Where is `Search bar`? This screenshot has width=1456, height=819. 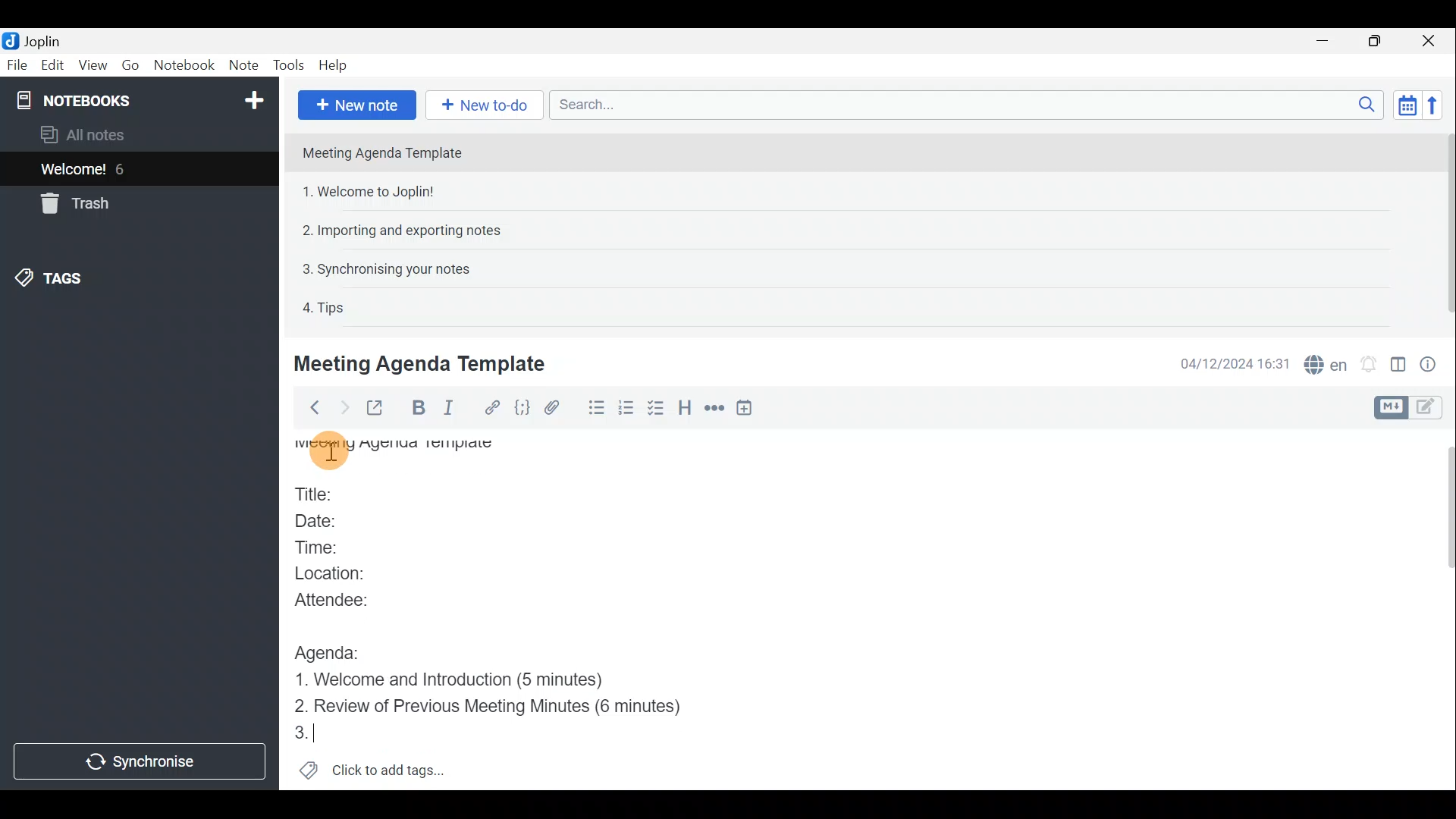
Search bar is located at coordinates (962, 104).